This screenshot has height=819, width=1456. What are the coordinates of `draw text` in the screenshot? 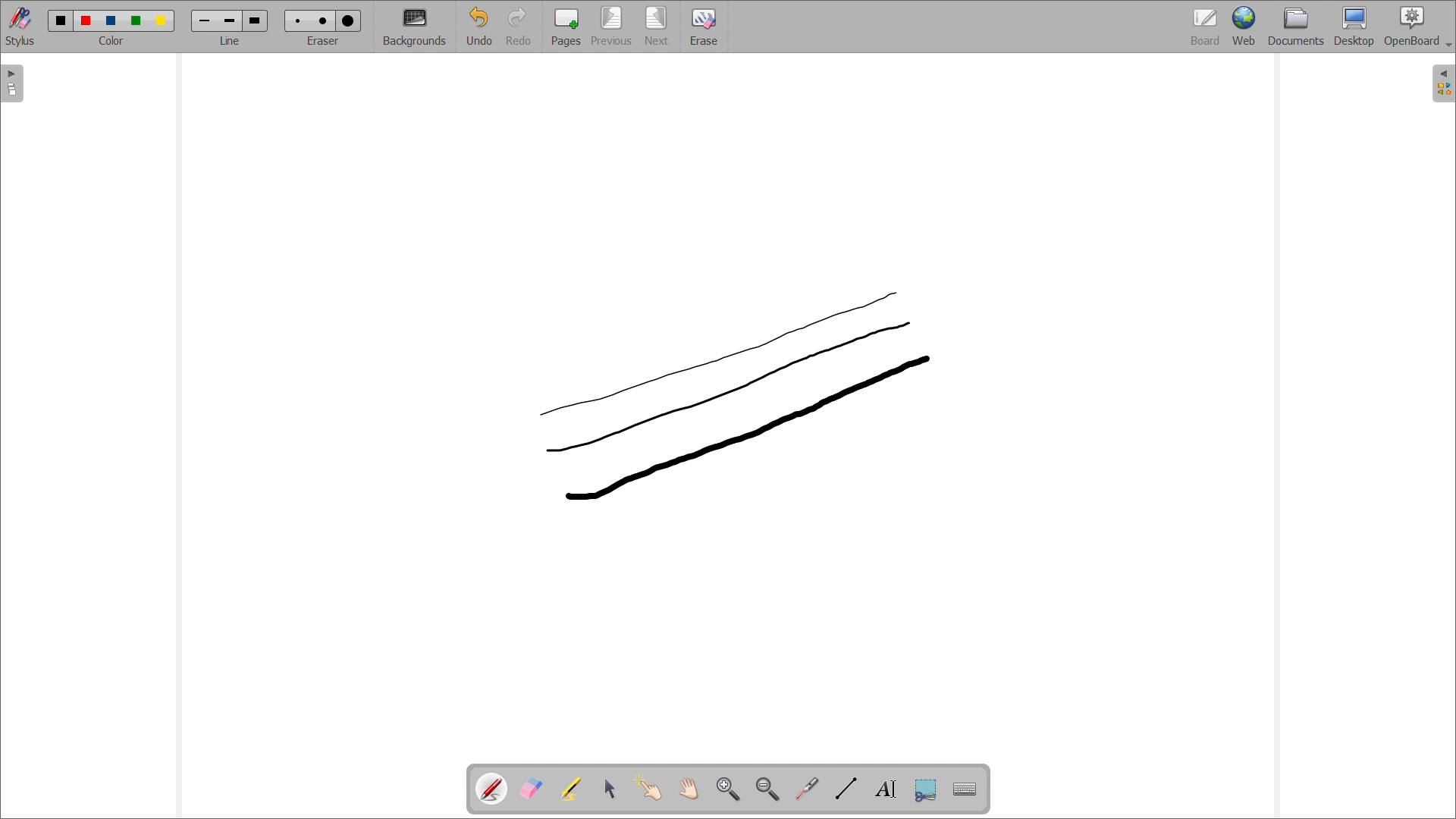 It's located at (887, 789).